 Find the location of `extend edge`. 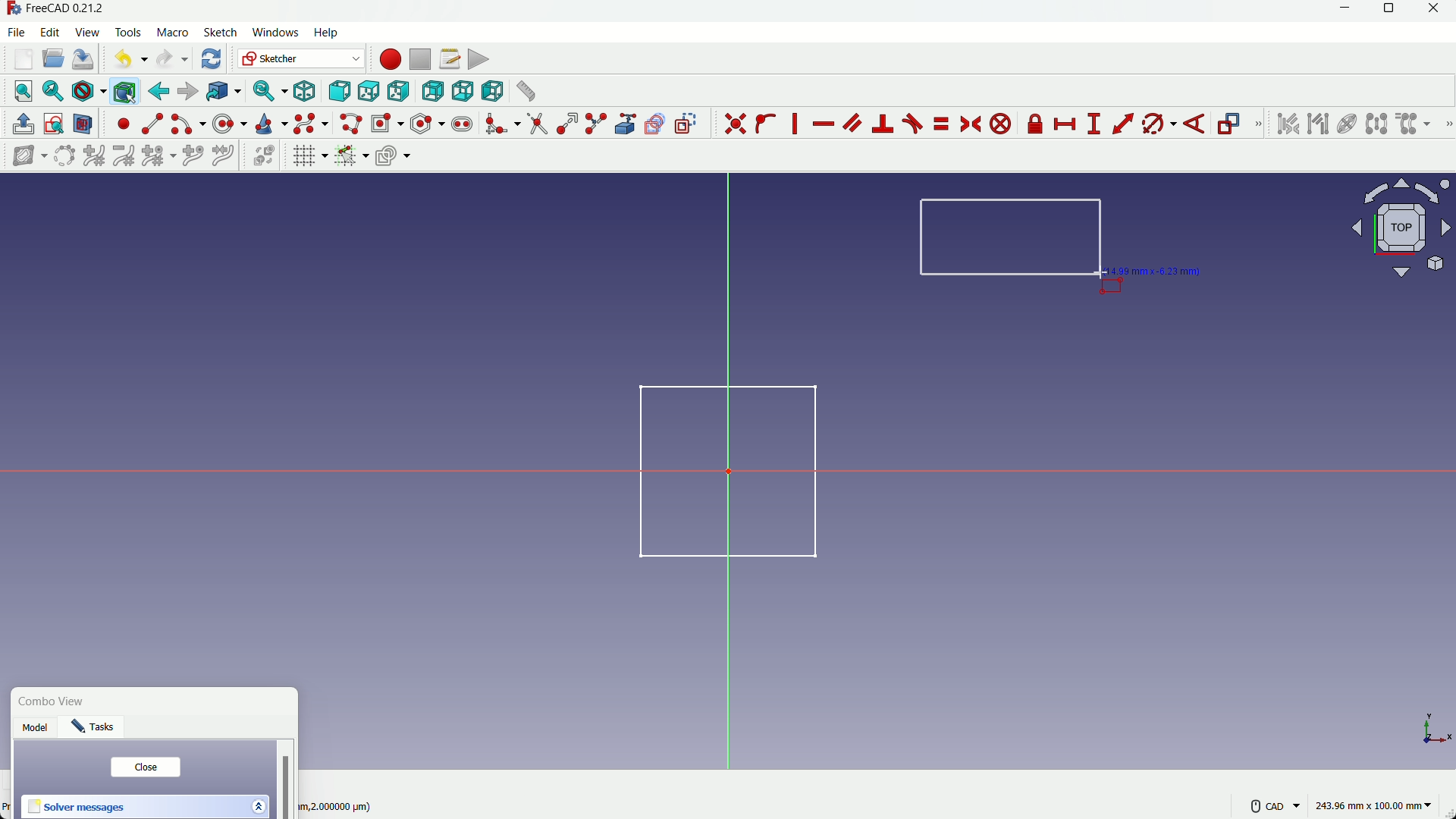

extend edge is located at coordinates (567, 124).